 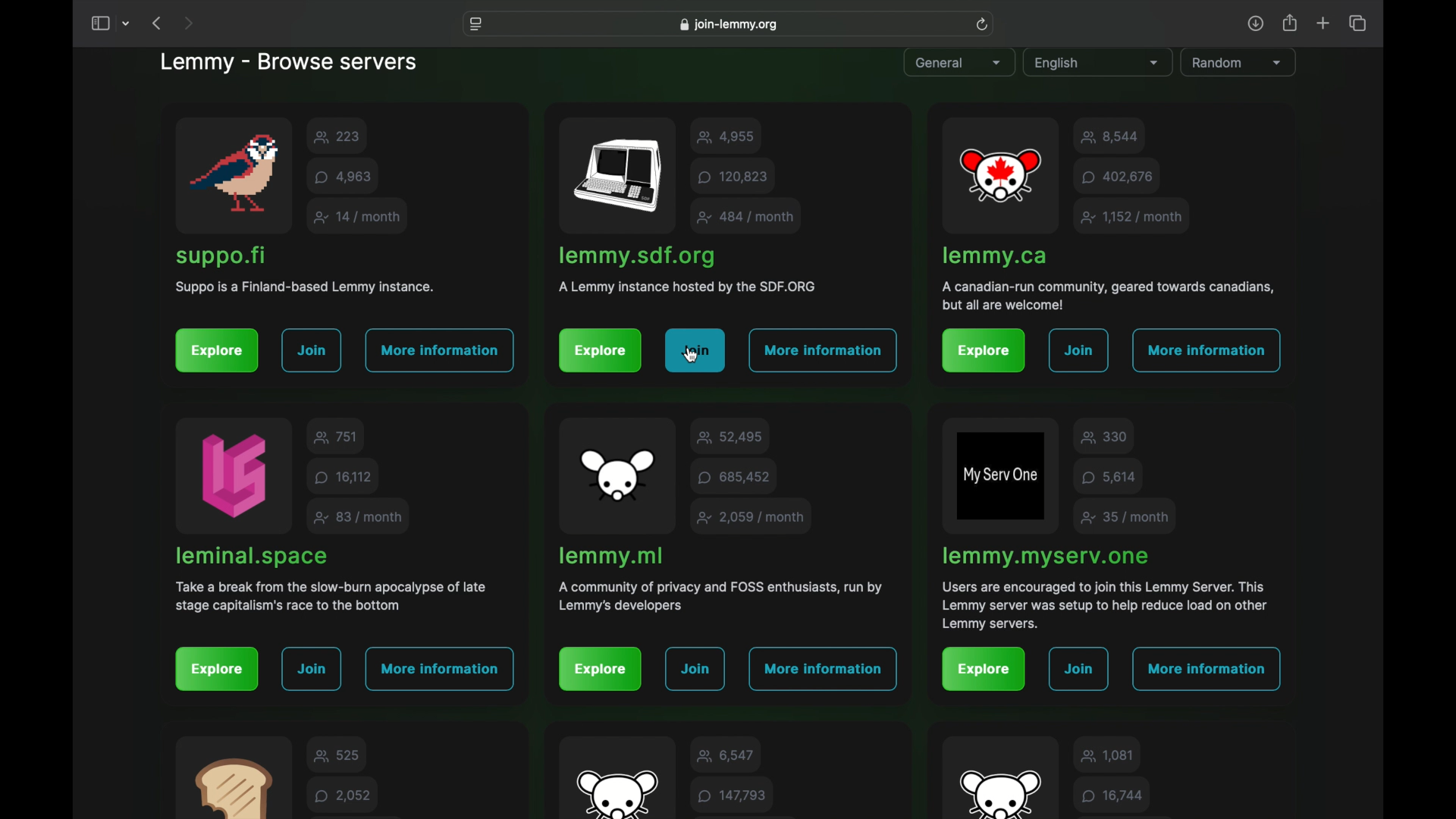 What do you see at coordinates (343, 476) in the screenshot?
I see `comments` at bounding box center [343, 476].